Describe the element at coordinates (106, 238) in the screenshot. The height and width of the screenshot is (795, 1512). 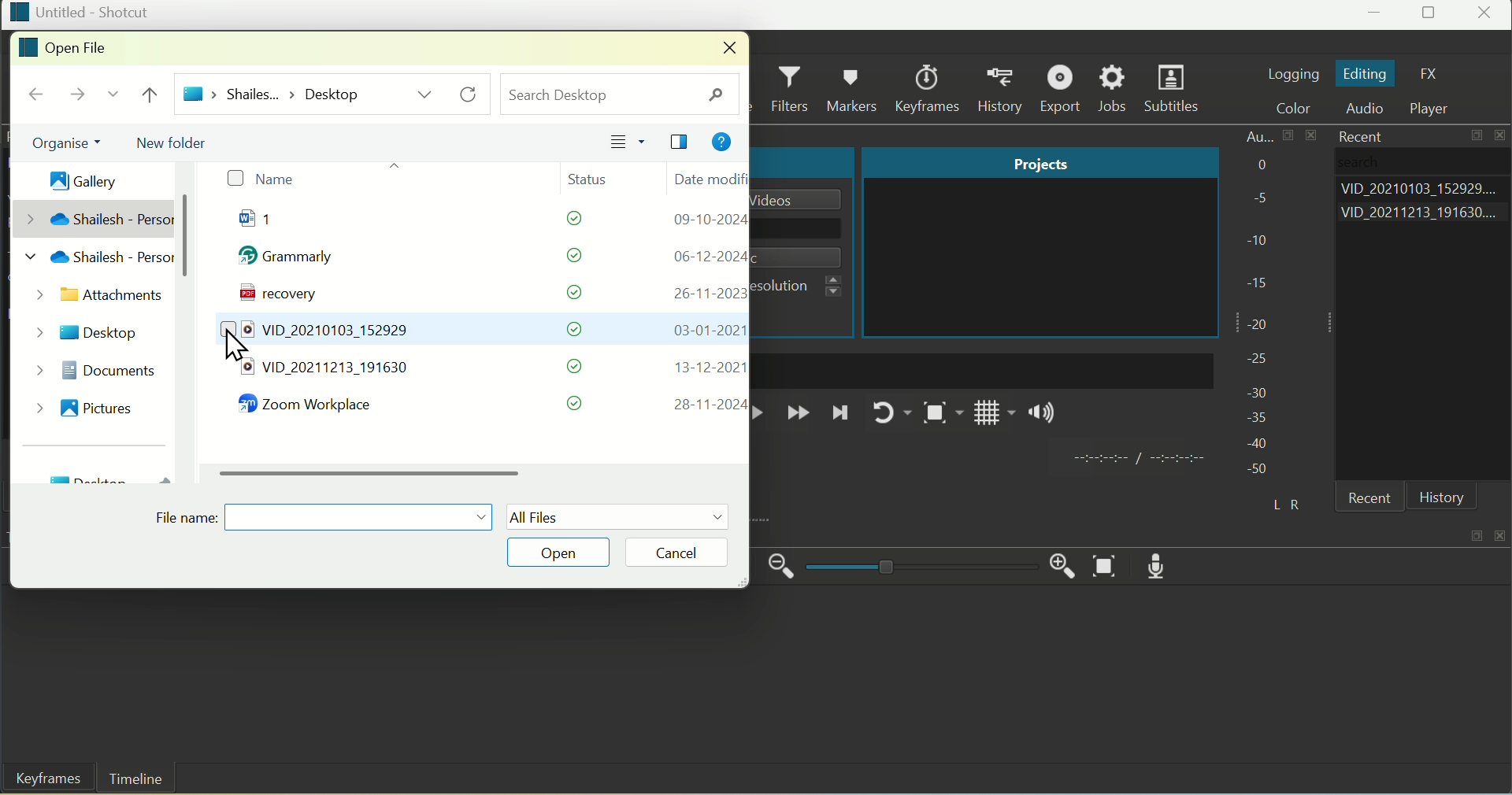
I see `Shailesh-Personal` at that location.